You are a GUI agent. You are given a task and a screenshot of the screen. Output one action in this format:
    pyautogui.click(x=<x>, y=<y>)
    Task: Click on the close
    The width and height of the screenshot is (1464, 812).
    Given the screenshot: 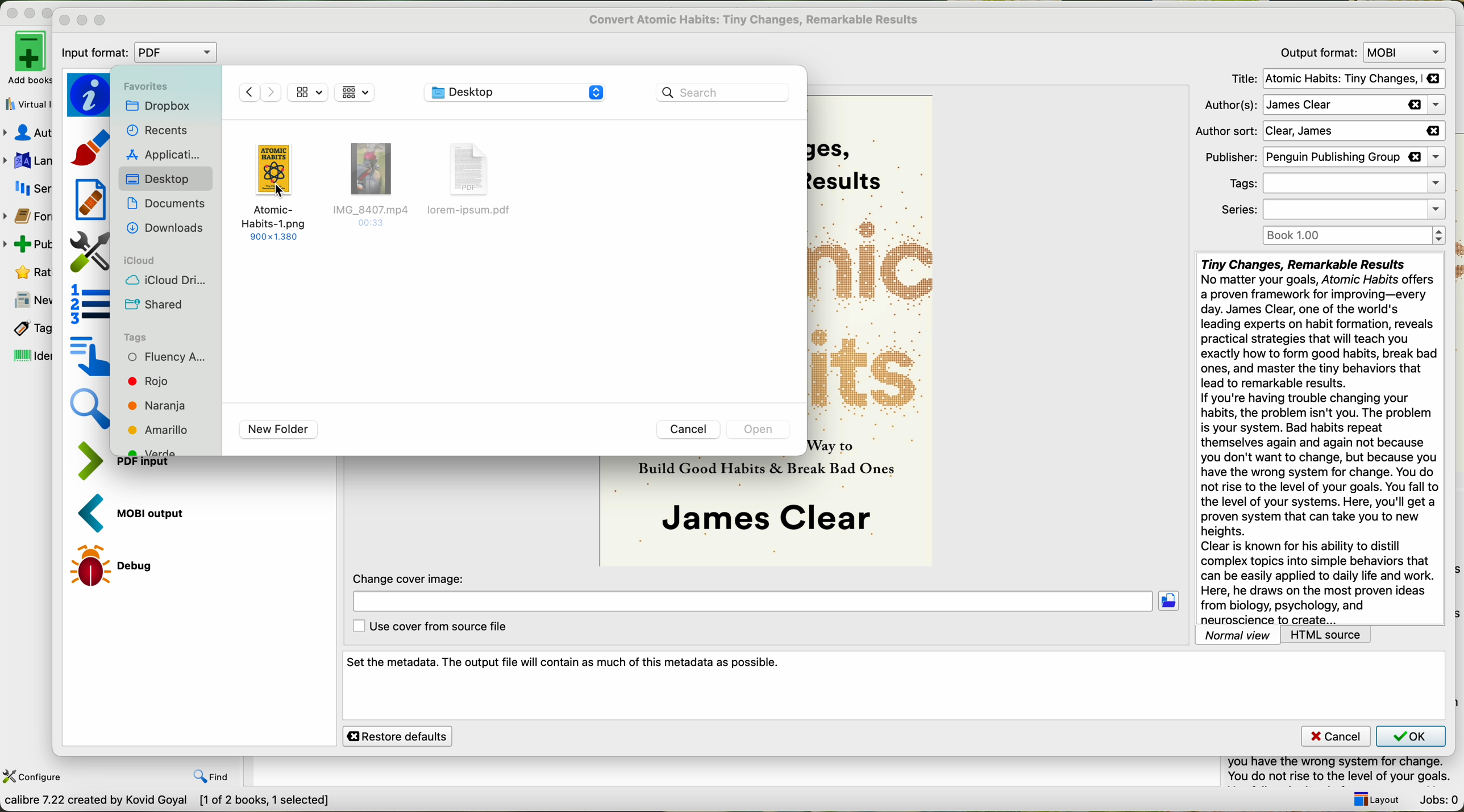 What is the action you would take?
    pyautogui.click(x=65, y=21)
    